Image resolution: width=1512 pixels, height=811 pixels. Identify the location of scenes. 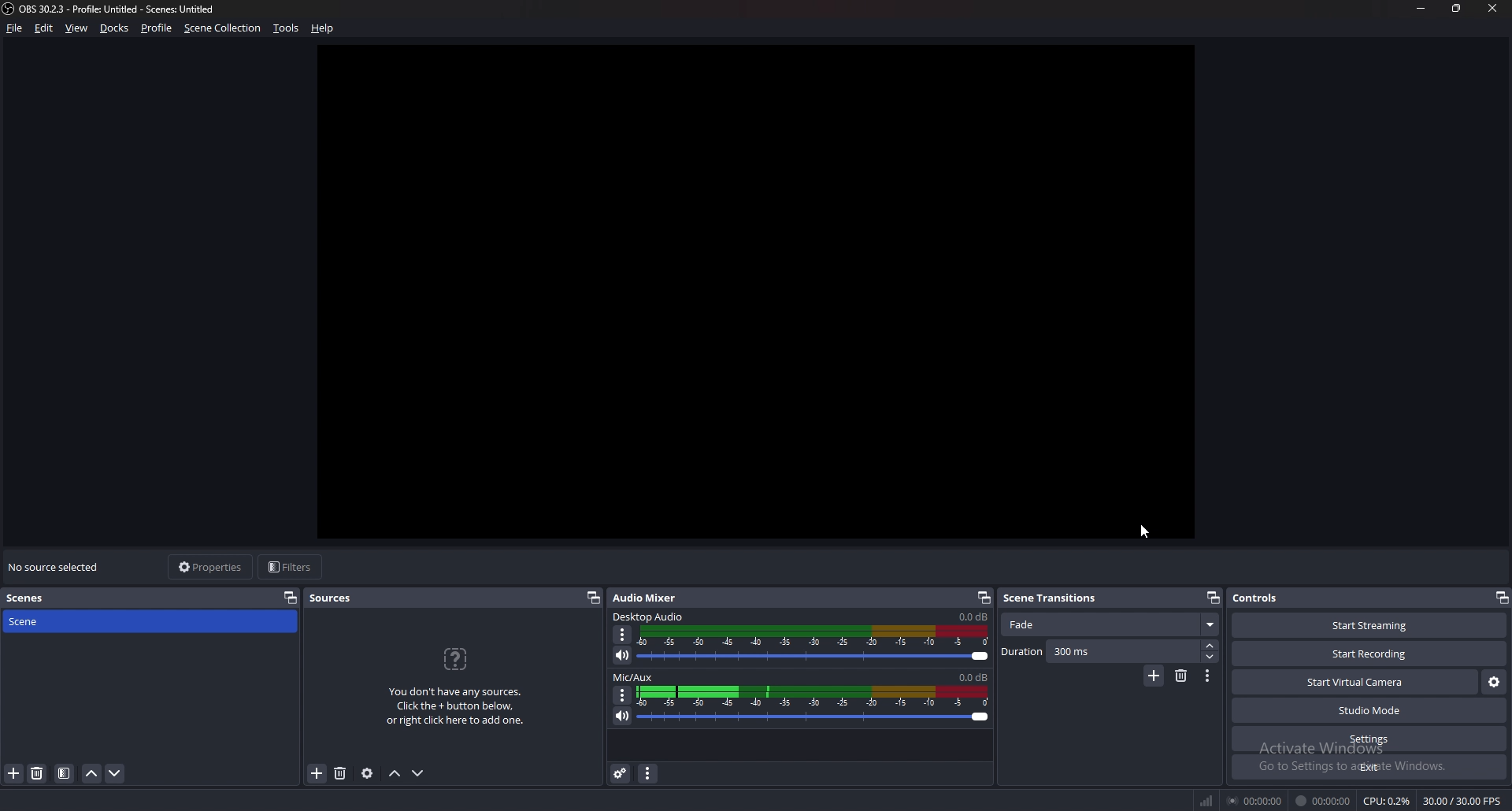
(34, 597).